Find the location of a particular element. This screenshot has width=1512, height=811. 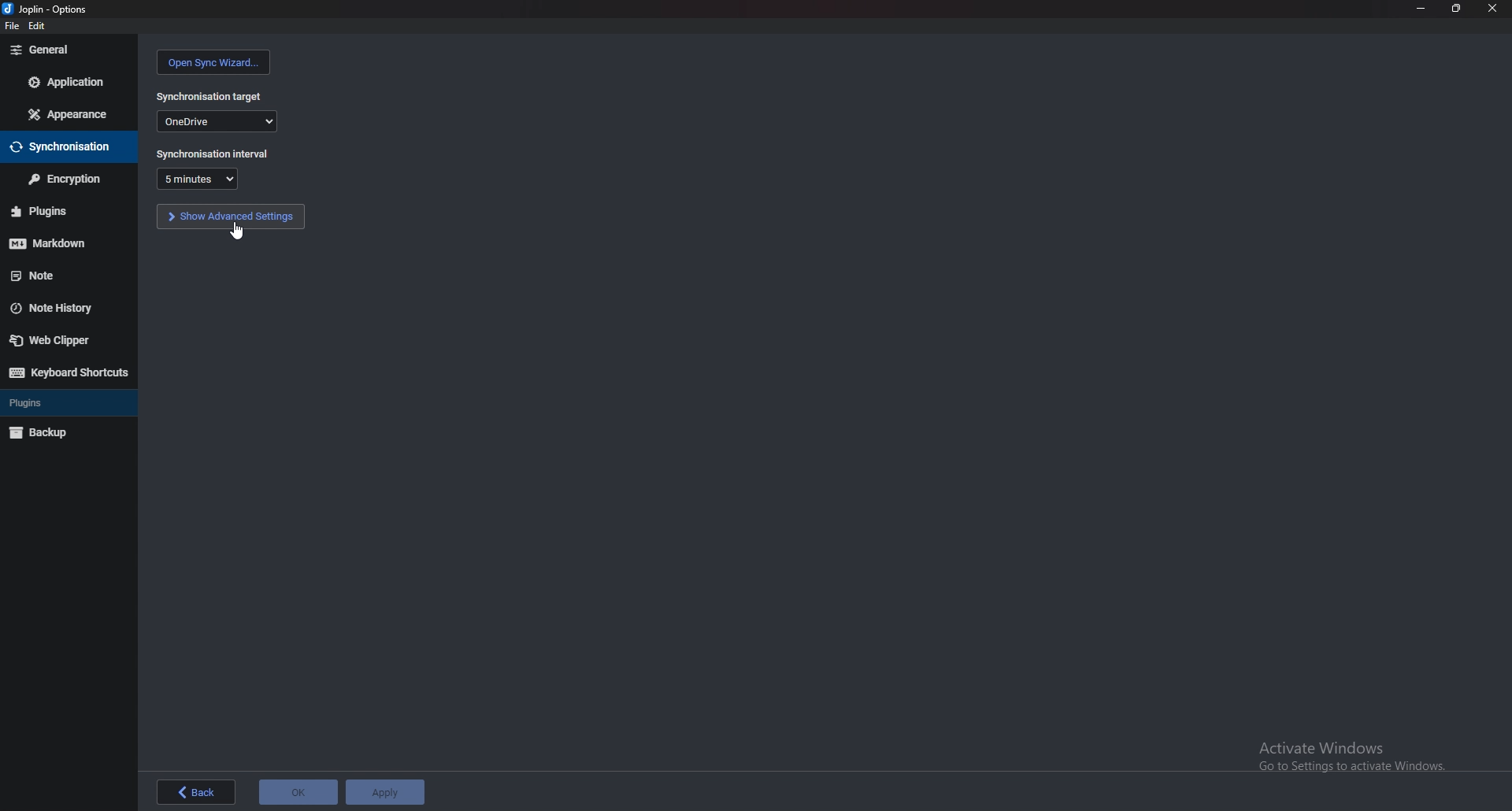

plugins is located at coordinates (64, 211).